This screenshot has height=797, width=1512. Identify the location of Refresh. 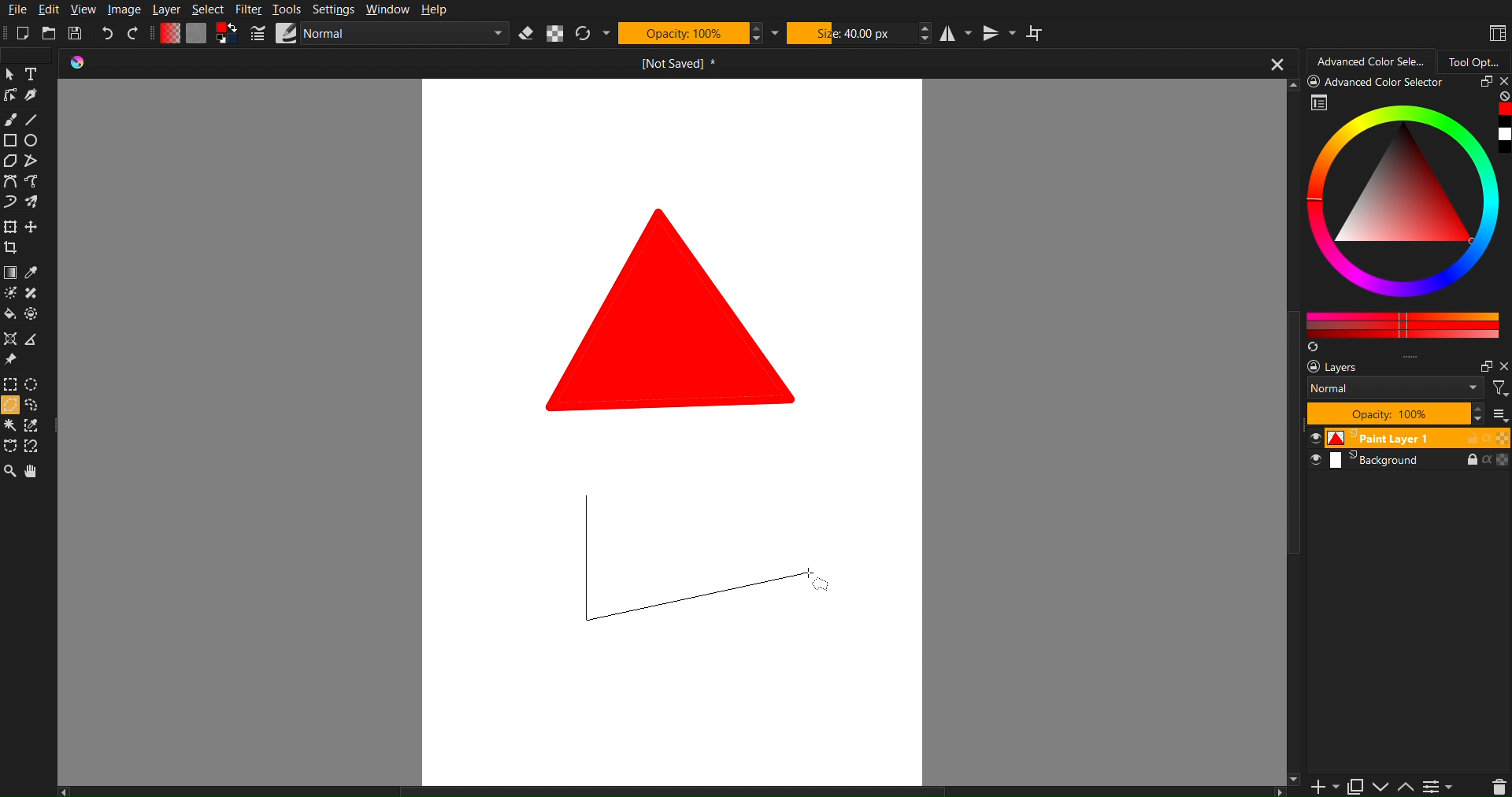
(587, 33).